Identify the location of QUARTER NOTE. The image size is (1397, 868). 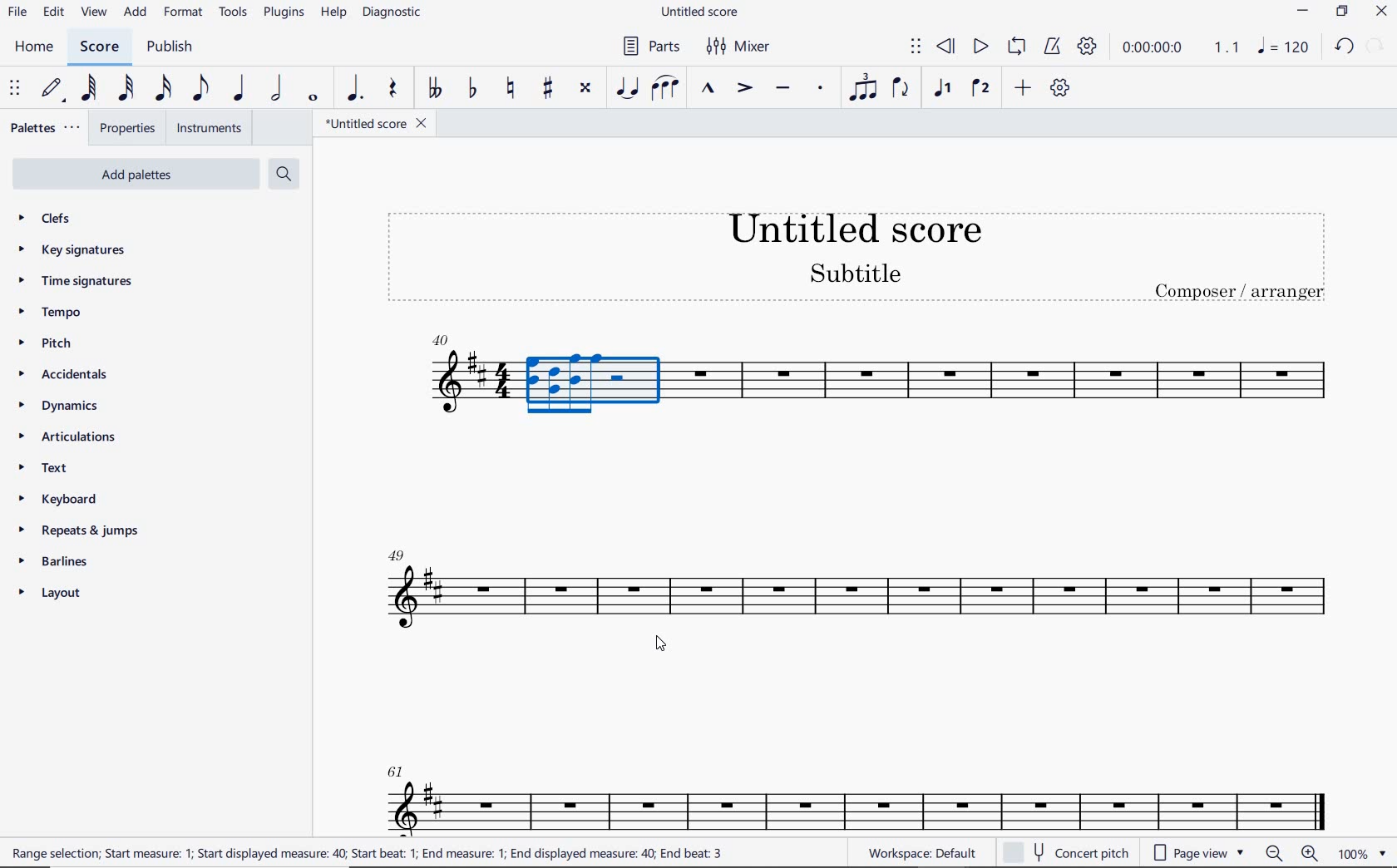
(239, 89).